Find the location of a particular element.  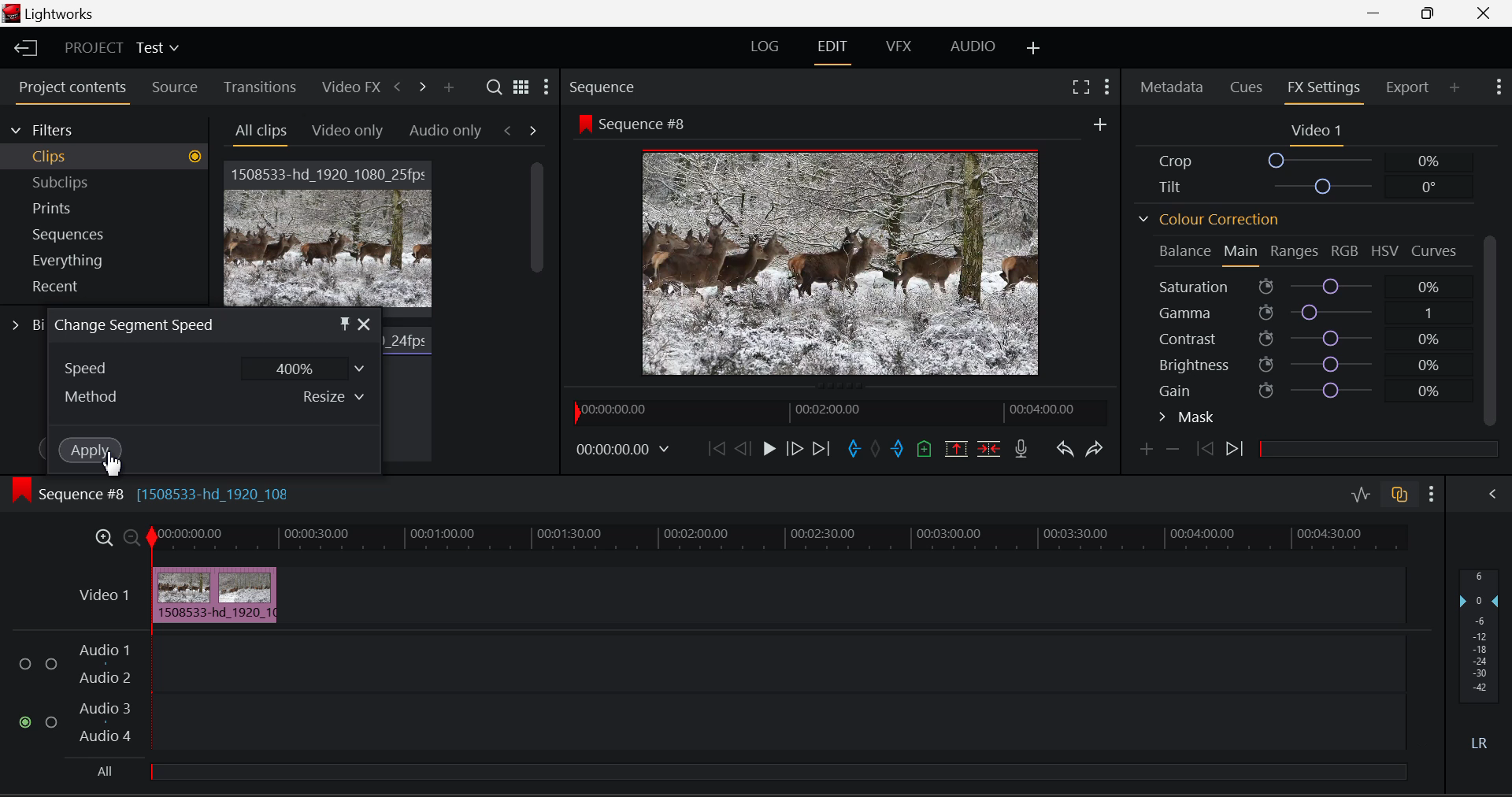

Speed Dropdown is located at coordinates (94, 367).